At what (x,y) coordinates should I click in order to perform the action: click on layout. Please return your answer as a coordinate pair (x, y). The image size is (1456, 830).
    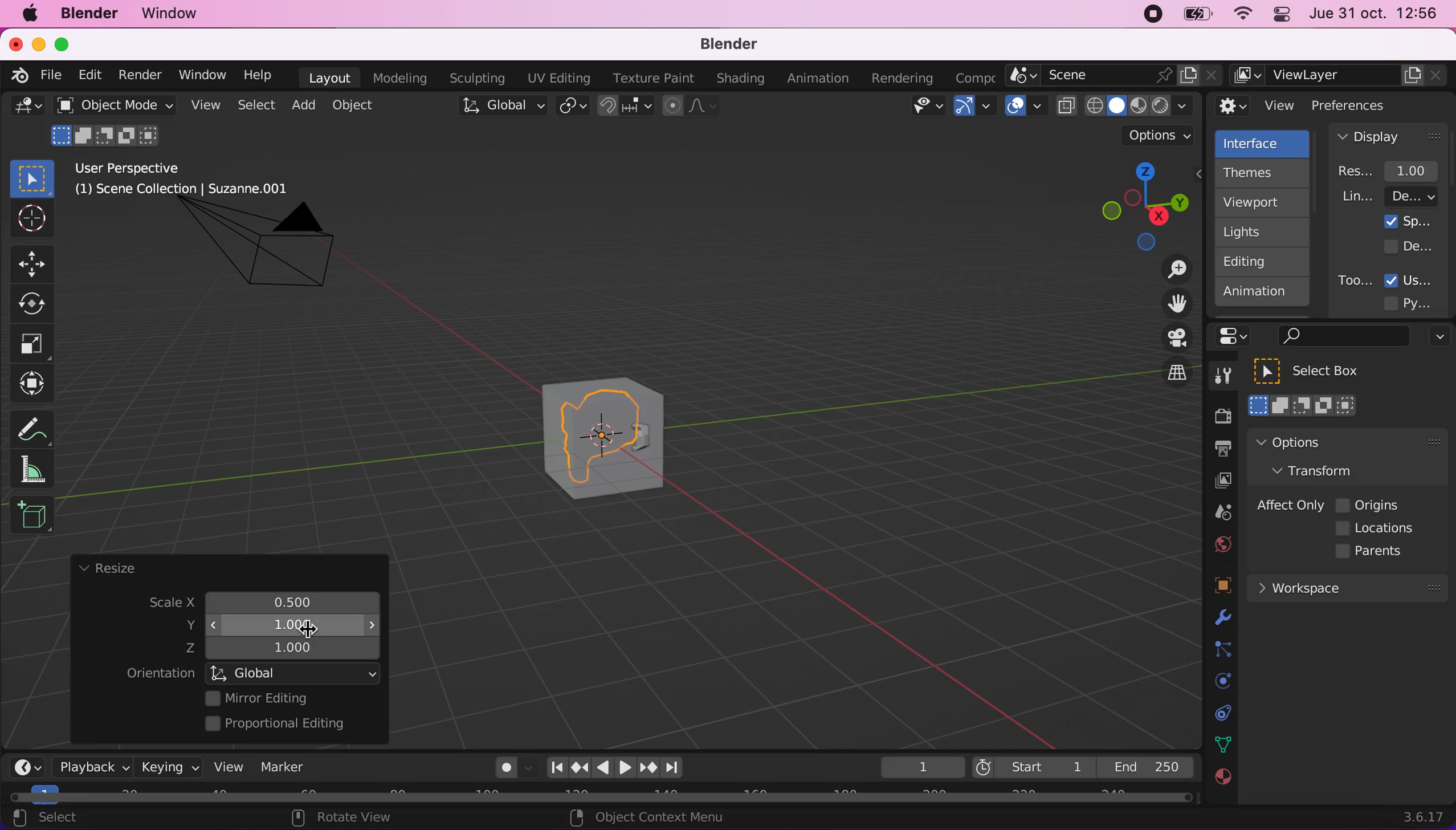
    Looking at the image, I should click on (329, 78).